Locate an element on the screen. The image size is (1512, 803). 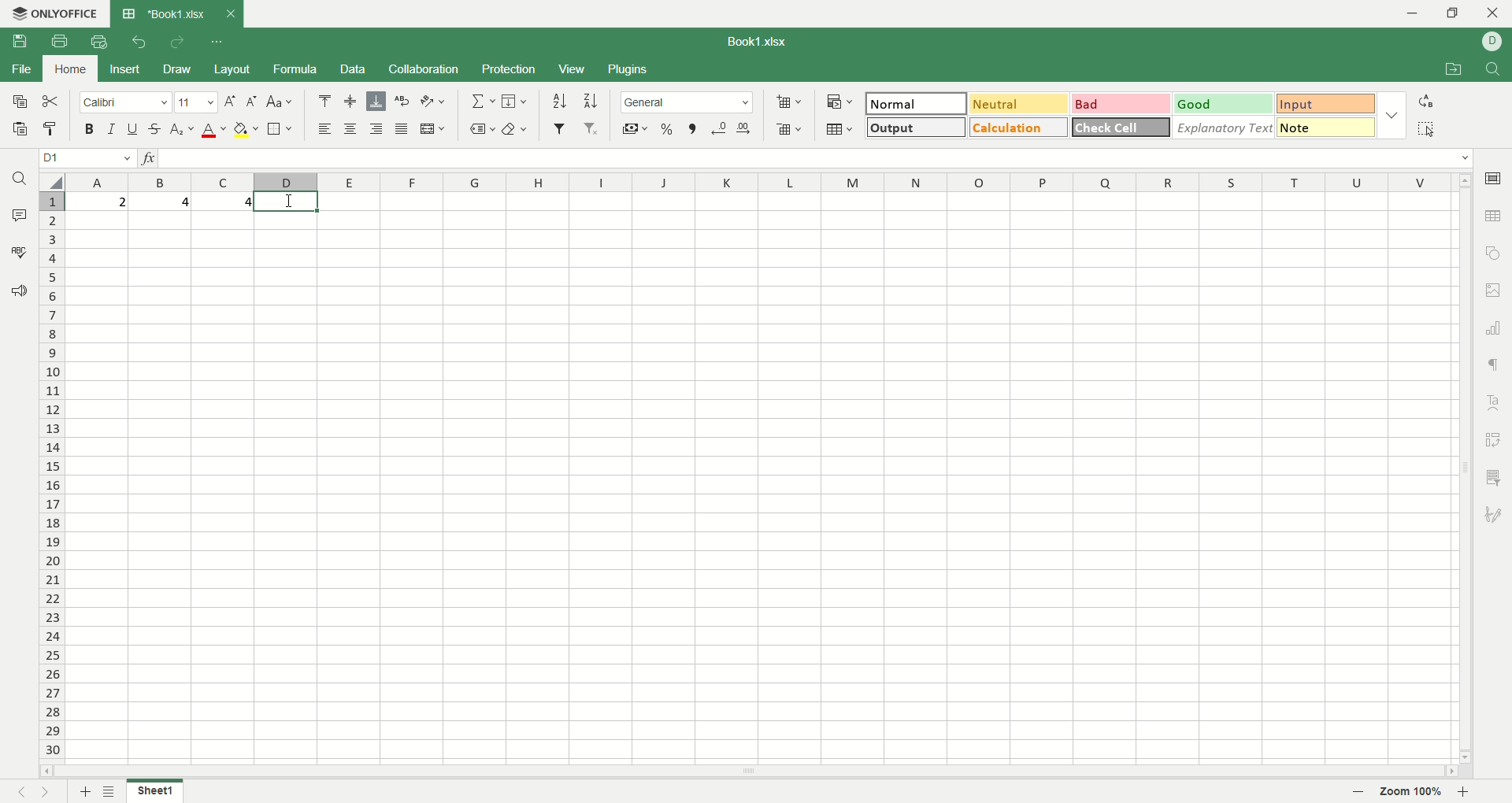
align bottom is located at coordinates (376, 101).